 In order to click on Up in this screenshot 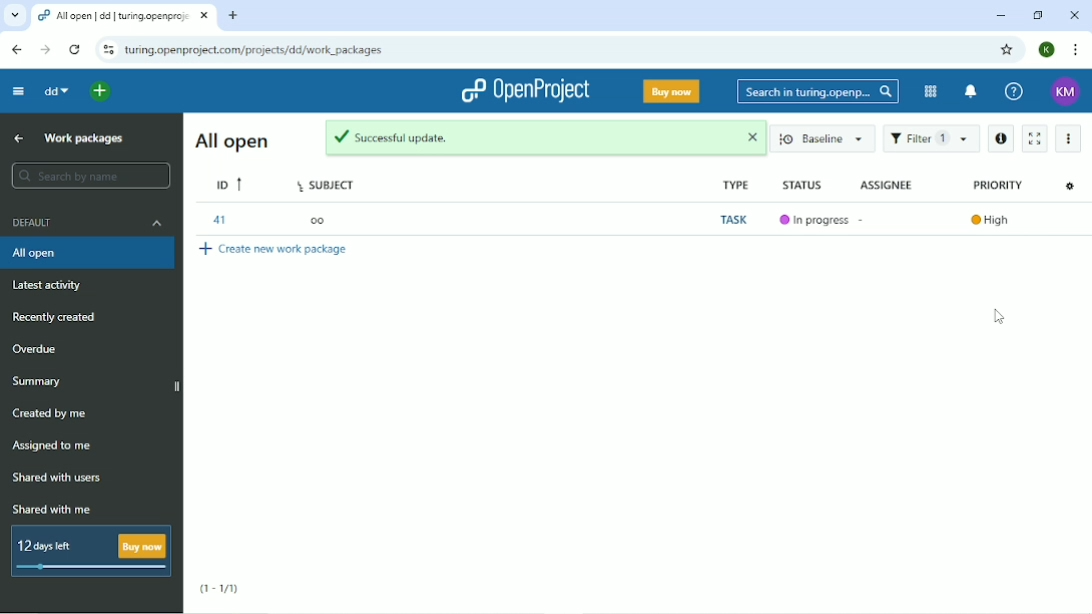, I will do `click(19, 138)`.